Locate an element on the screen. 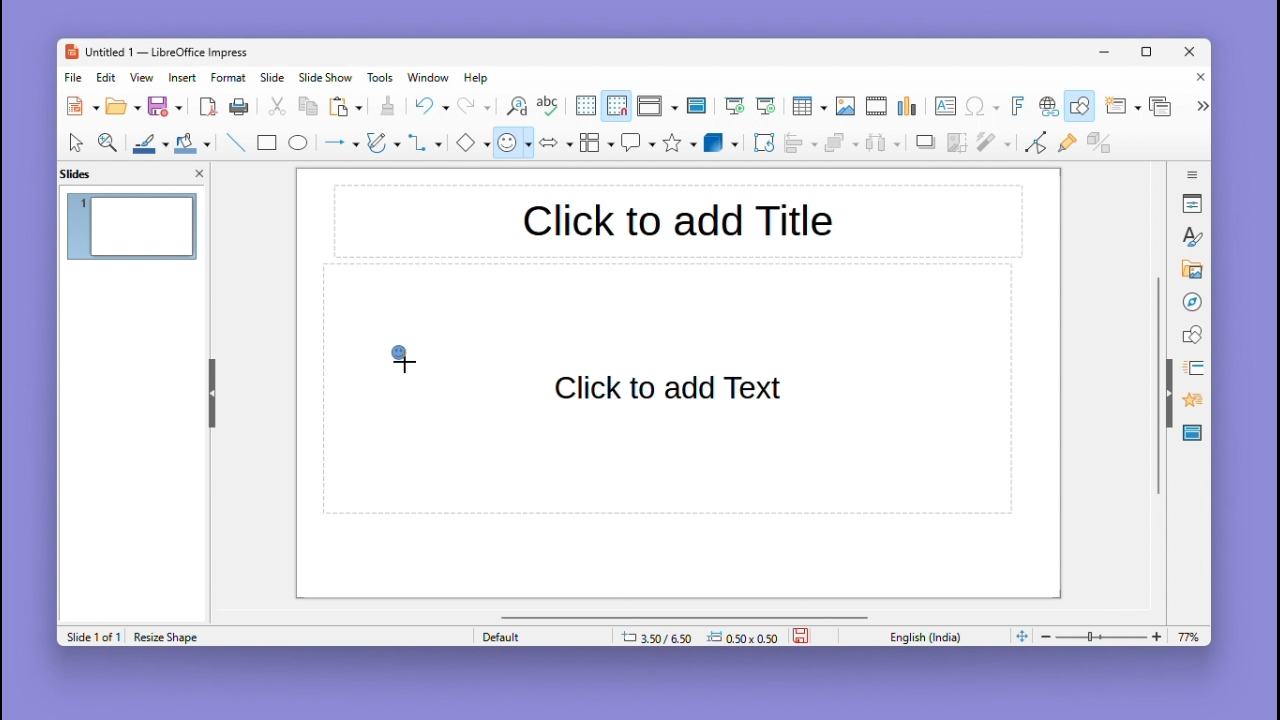 The width and height of the screenshot is (1280, 720). paste is located at coordinates (347, 107).